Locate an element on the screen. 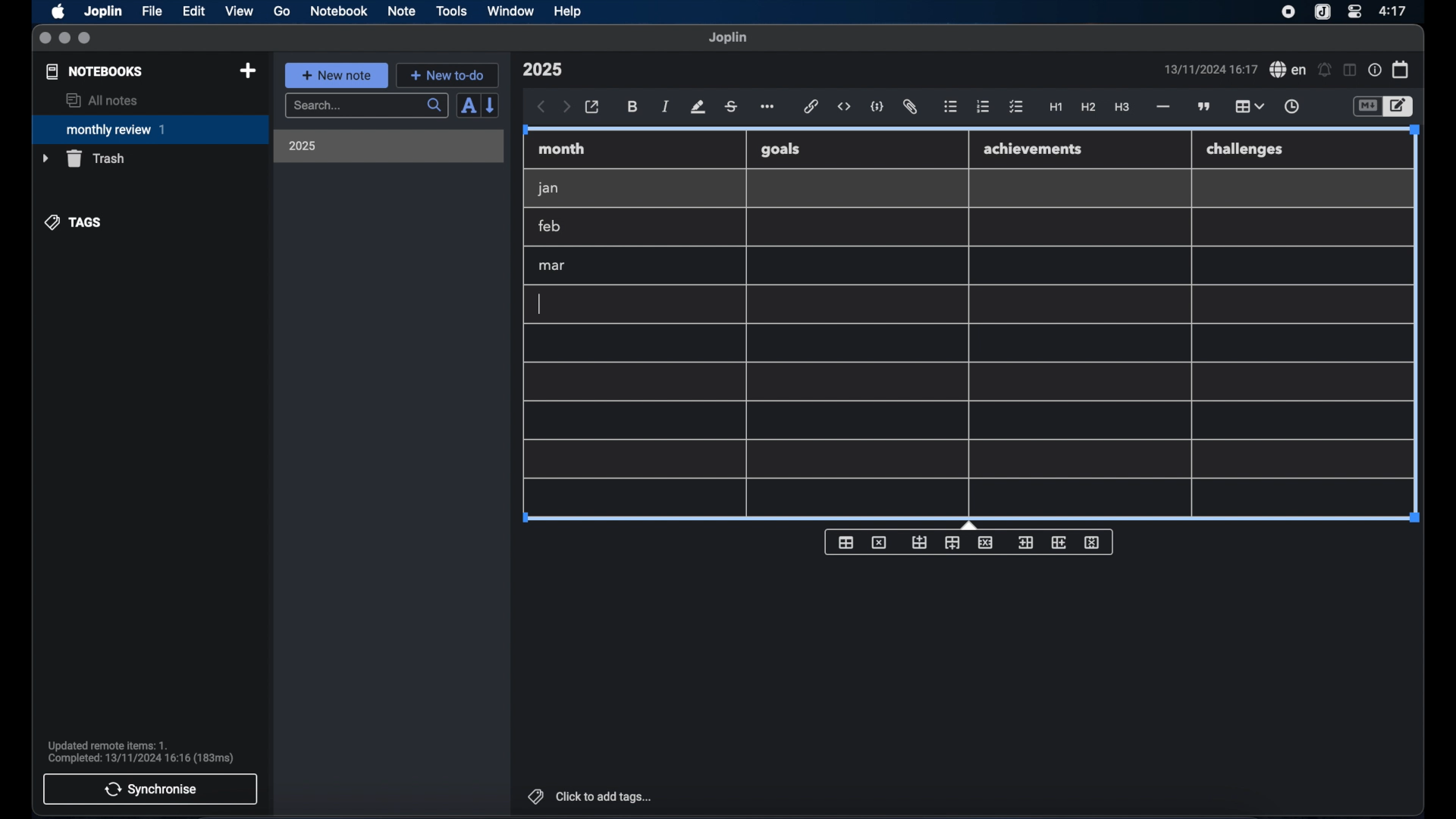 The width and height of the screenshot is (1456, 819). reverse sort order is located at coordinates (491, 105).